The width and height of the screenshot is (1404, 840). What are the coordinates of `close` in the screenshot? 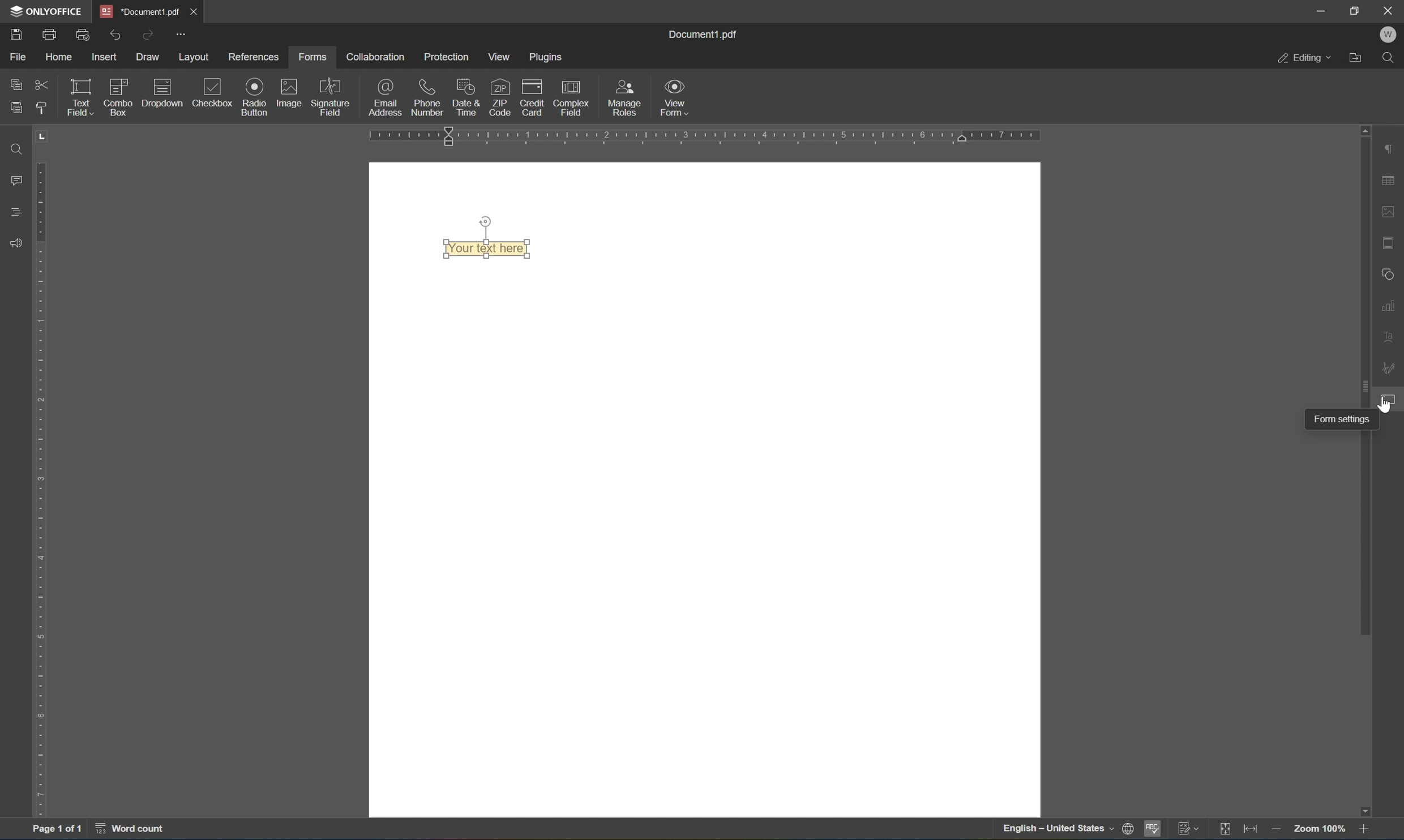 It's located at (191, 10).